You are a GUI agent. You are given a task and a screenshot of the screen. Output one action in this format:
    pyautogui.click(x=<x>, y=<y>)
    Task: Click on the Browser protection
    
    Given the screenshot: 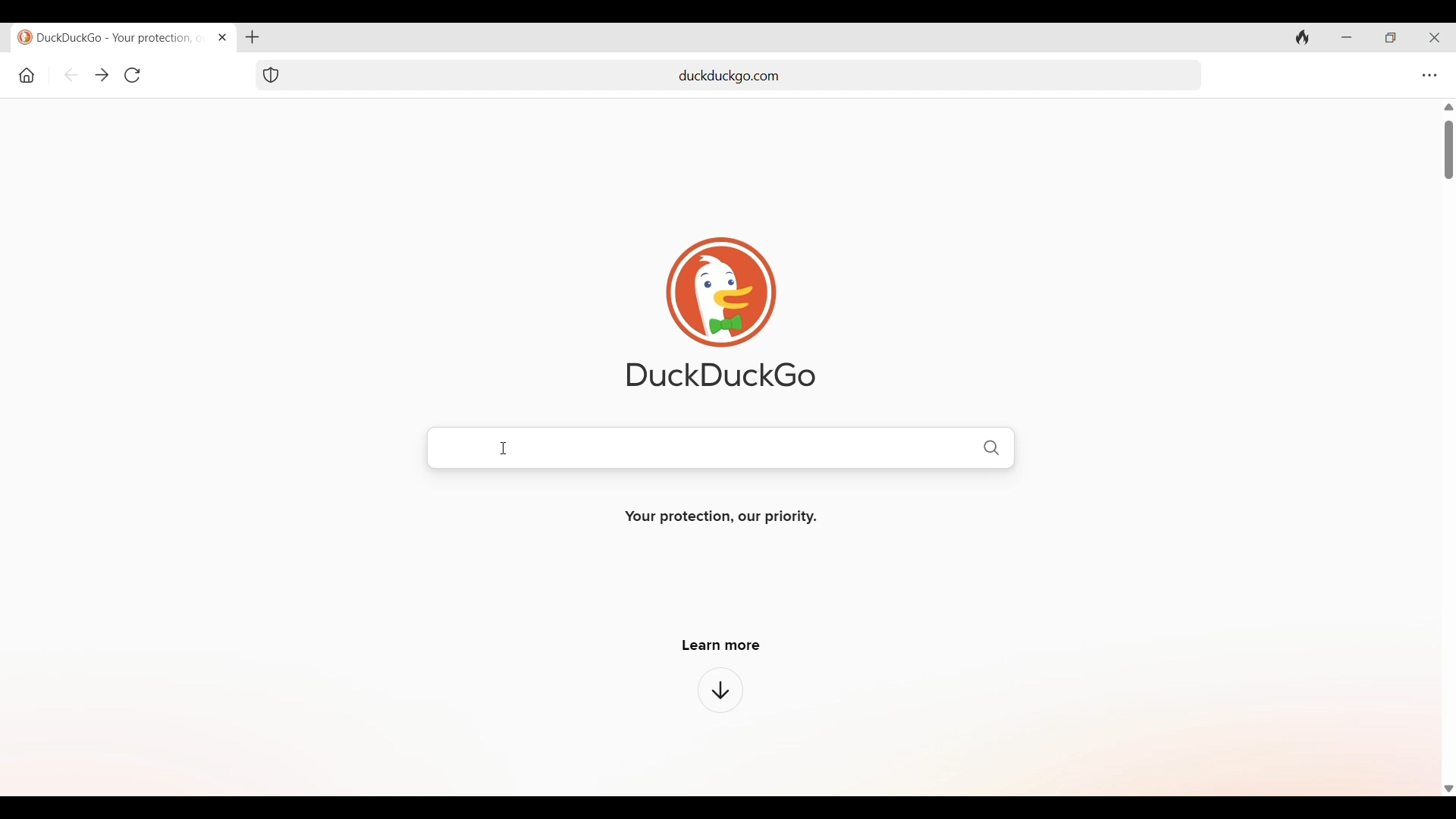 What is the action you would take?
    pyautogui.click(x=271, y=74)
    